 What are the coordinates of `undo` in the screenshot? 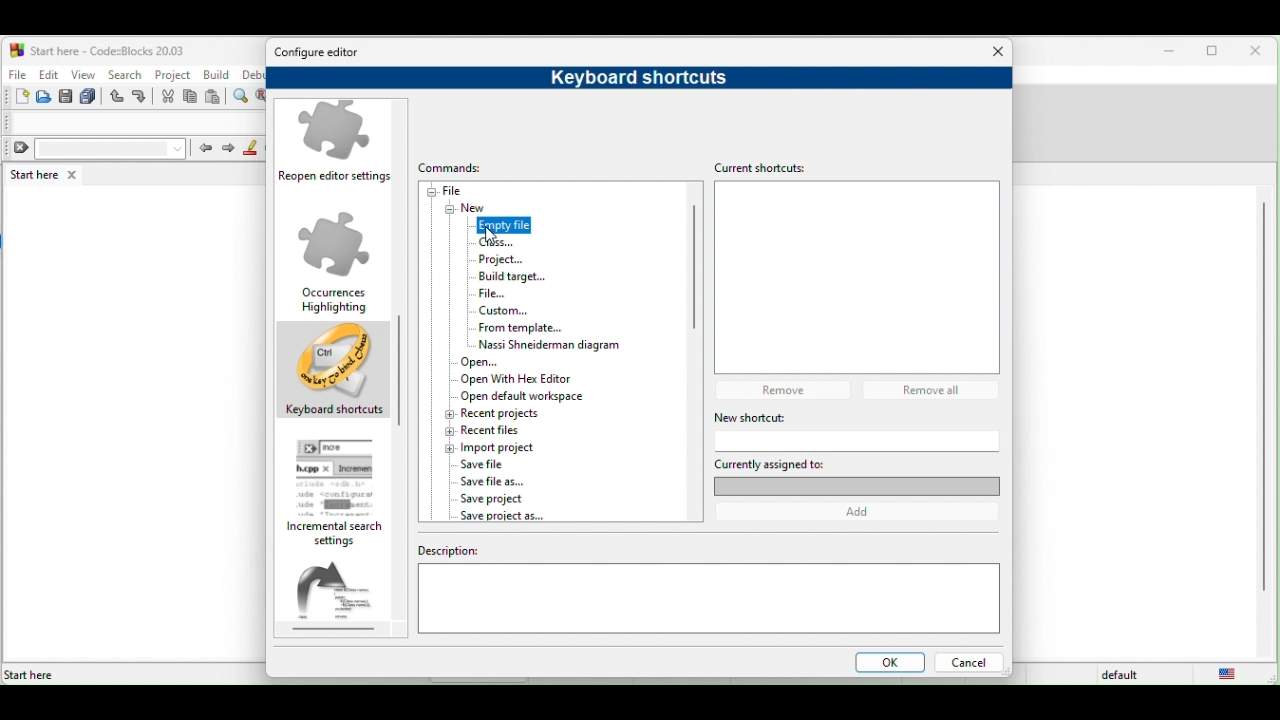 It's located at (118, 97).